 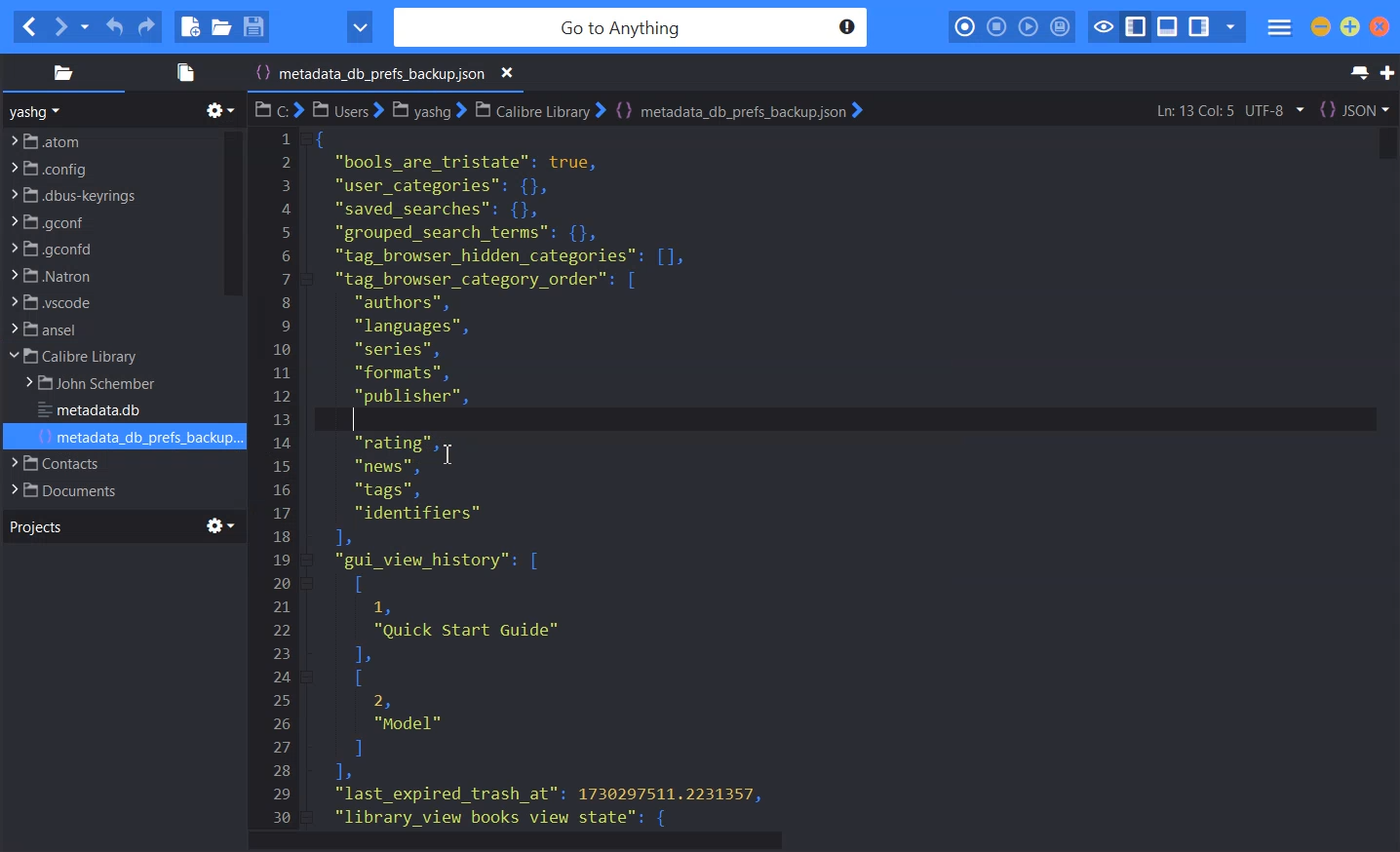 What do you see at coordinates (823, 841) in the screenshot?
I see `Horizontal scroll bar` at bounding box center [823, 841].